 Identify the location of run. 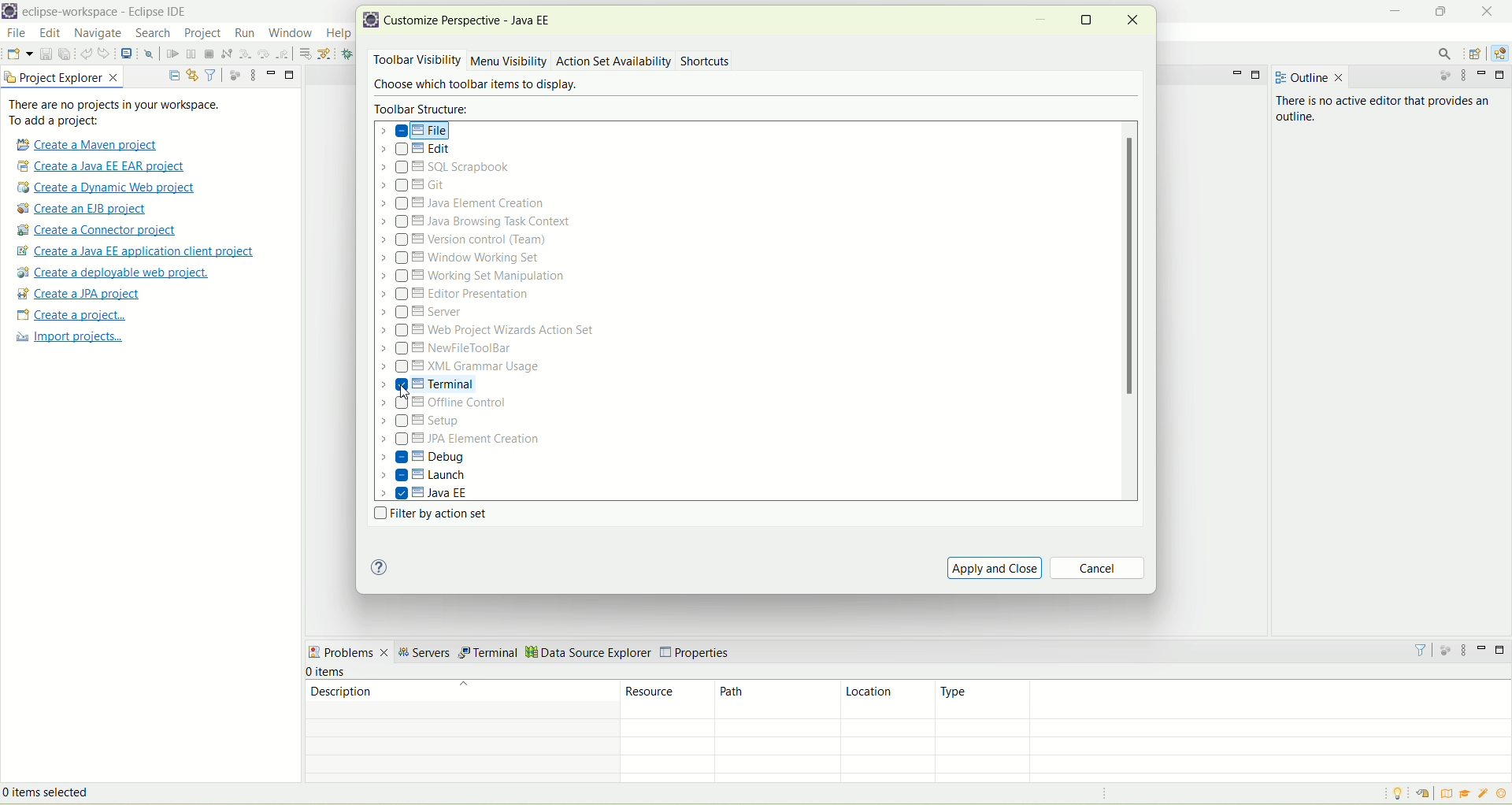
(246, 32).